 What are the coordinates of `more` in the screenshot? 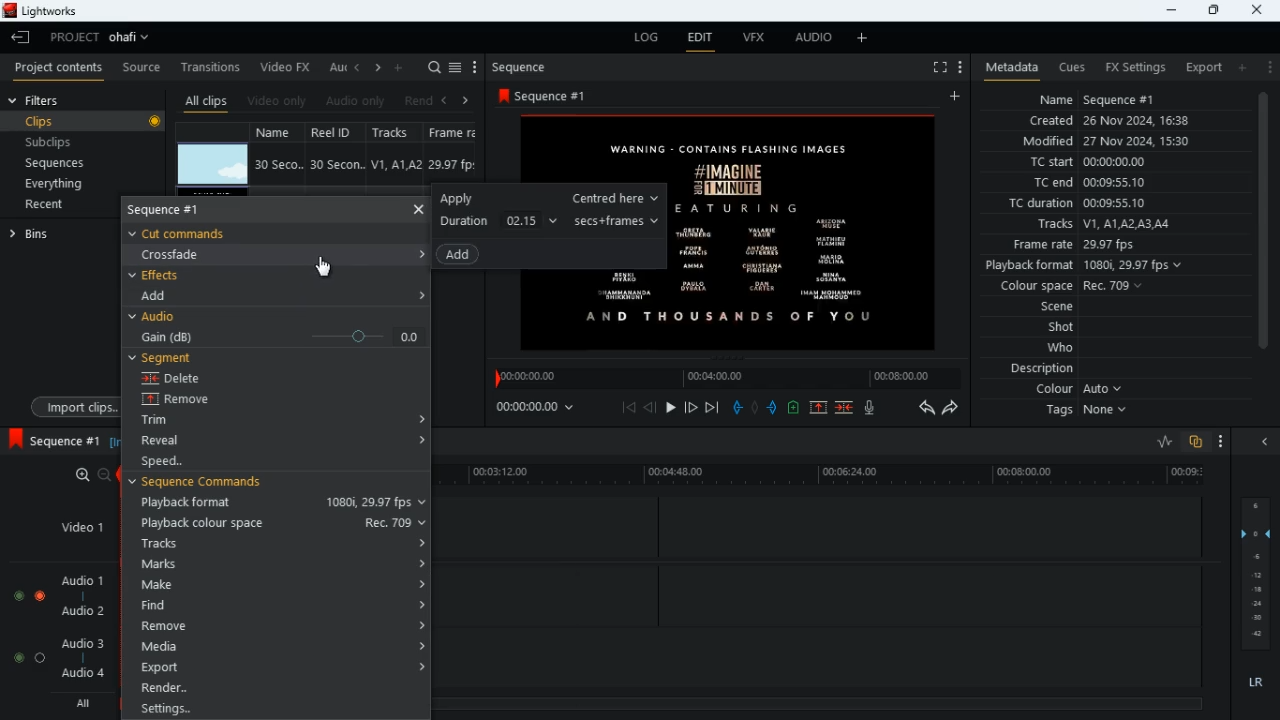 It's located at (865, 37).